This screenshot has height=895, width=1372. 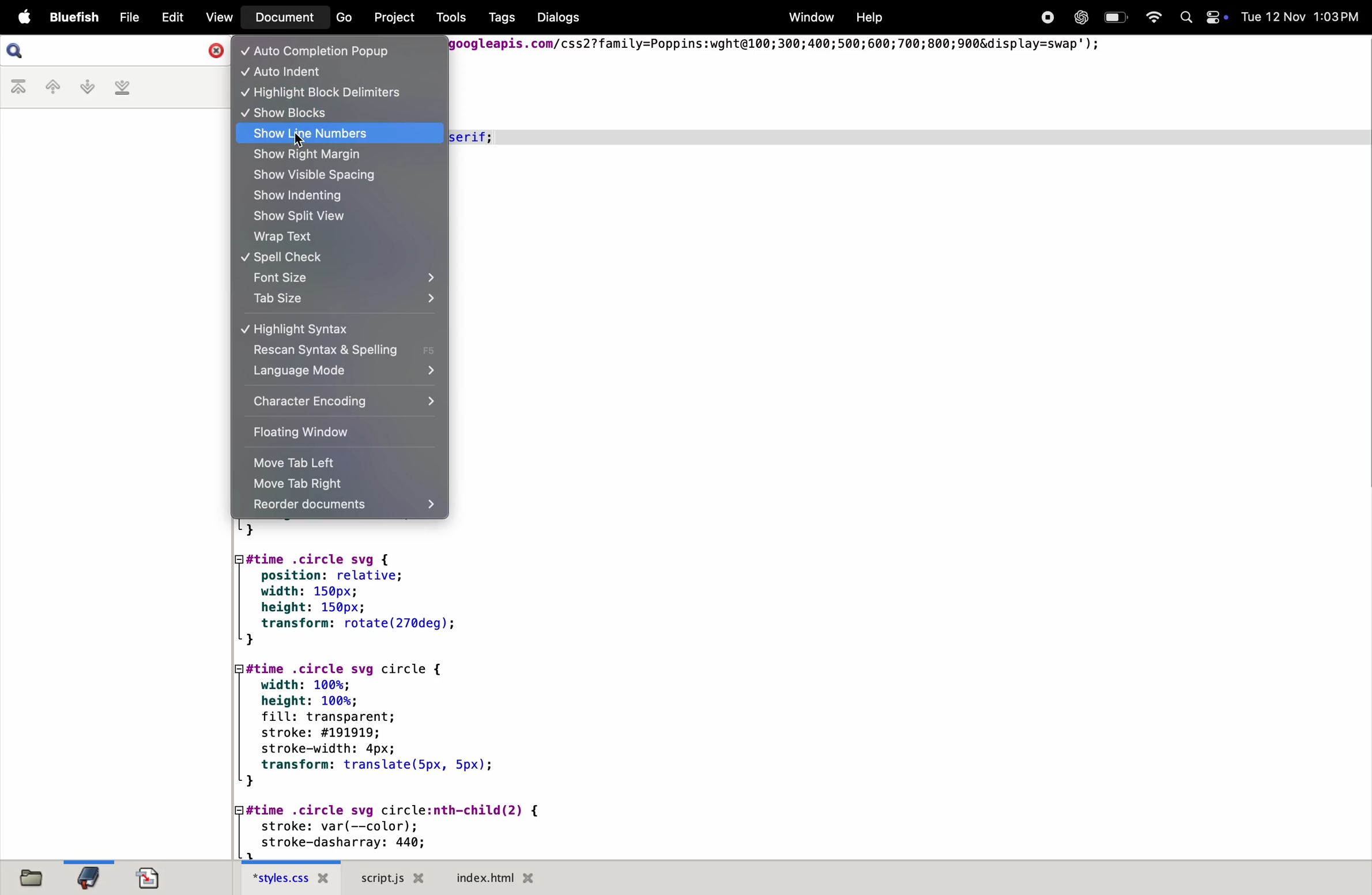 I want to click on index.html, so click(x=504, y=878).